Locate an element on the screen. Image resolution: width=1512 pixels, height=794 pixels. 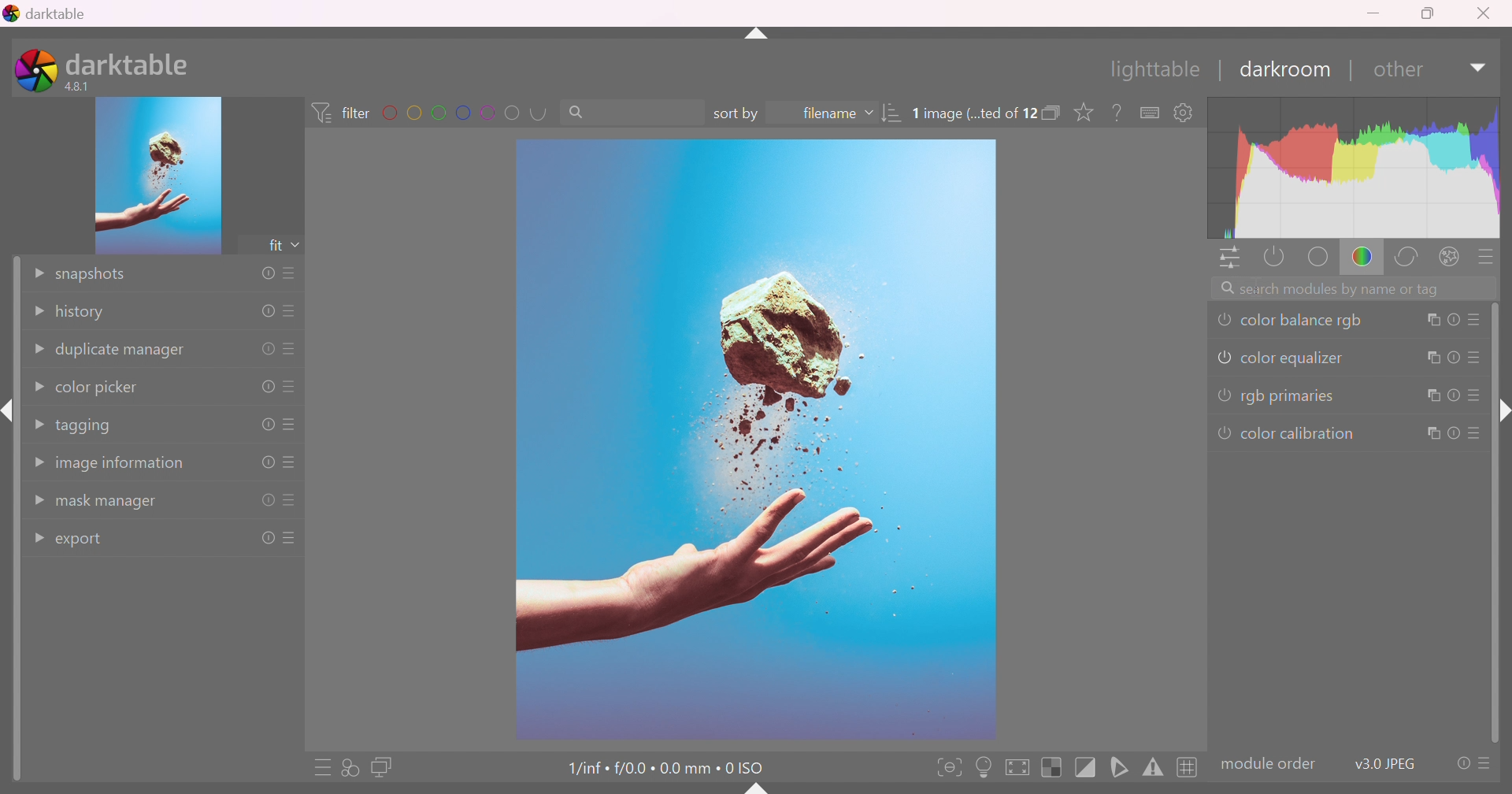
filter by images color label is located at coordinates (465, 113).